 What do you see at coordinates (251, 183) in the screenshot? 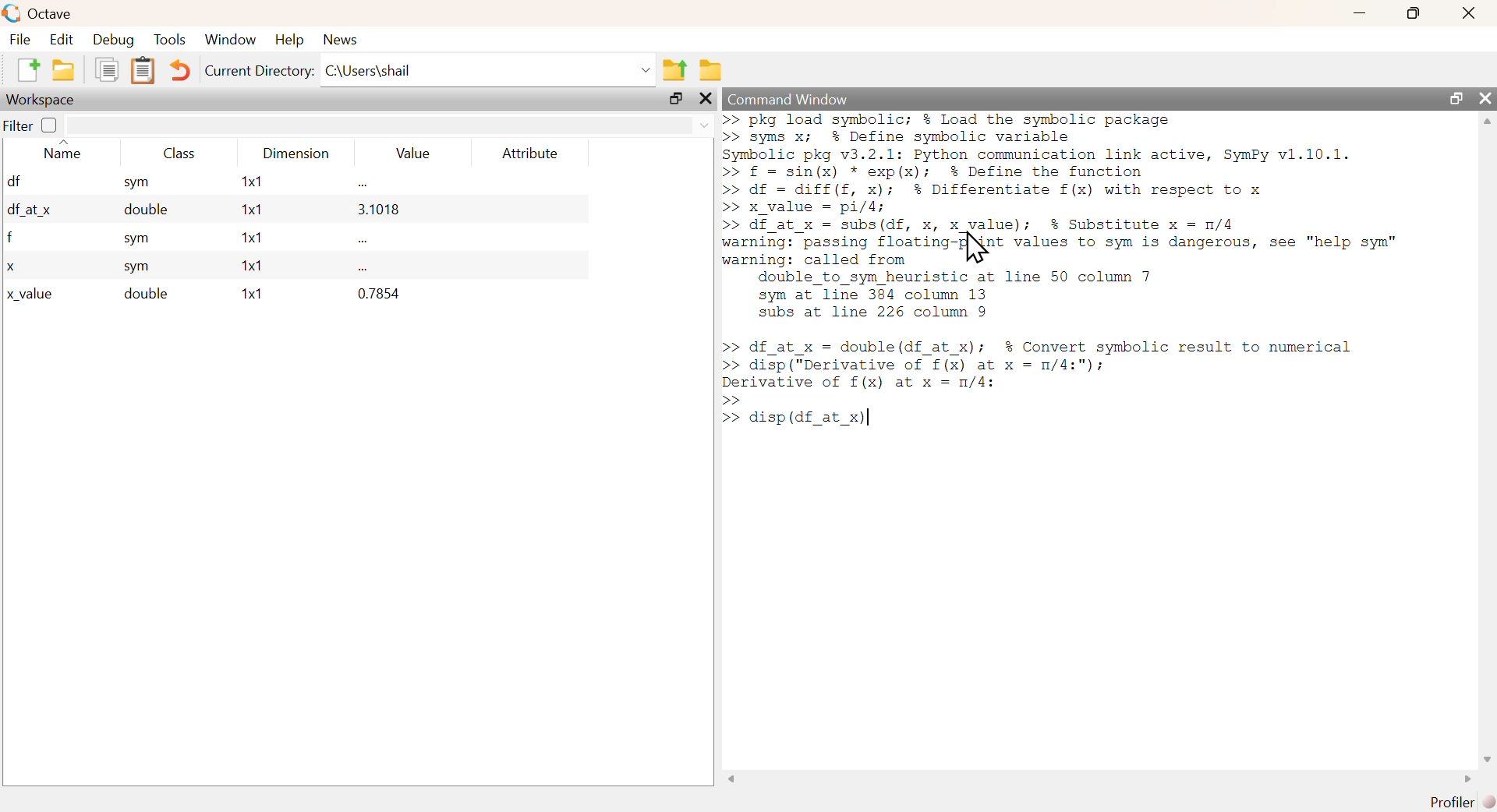
I see `1x1` at bounding box center [251, 183].